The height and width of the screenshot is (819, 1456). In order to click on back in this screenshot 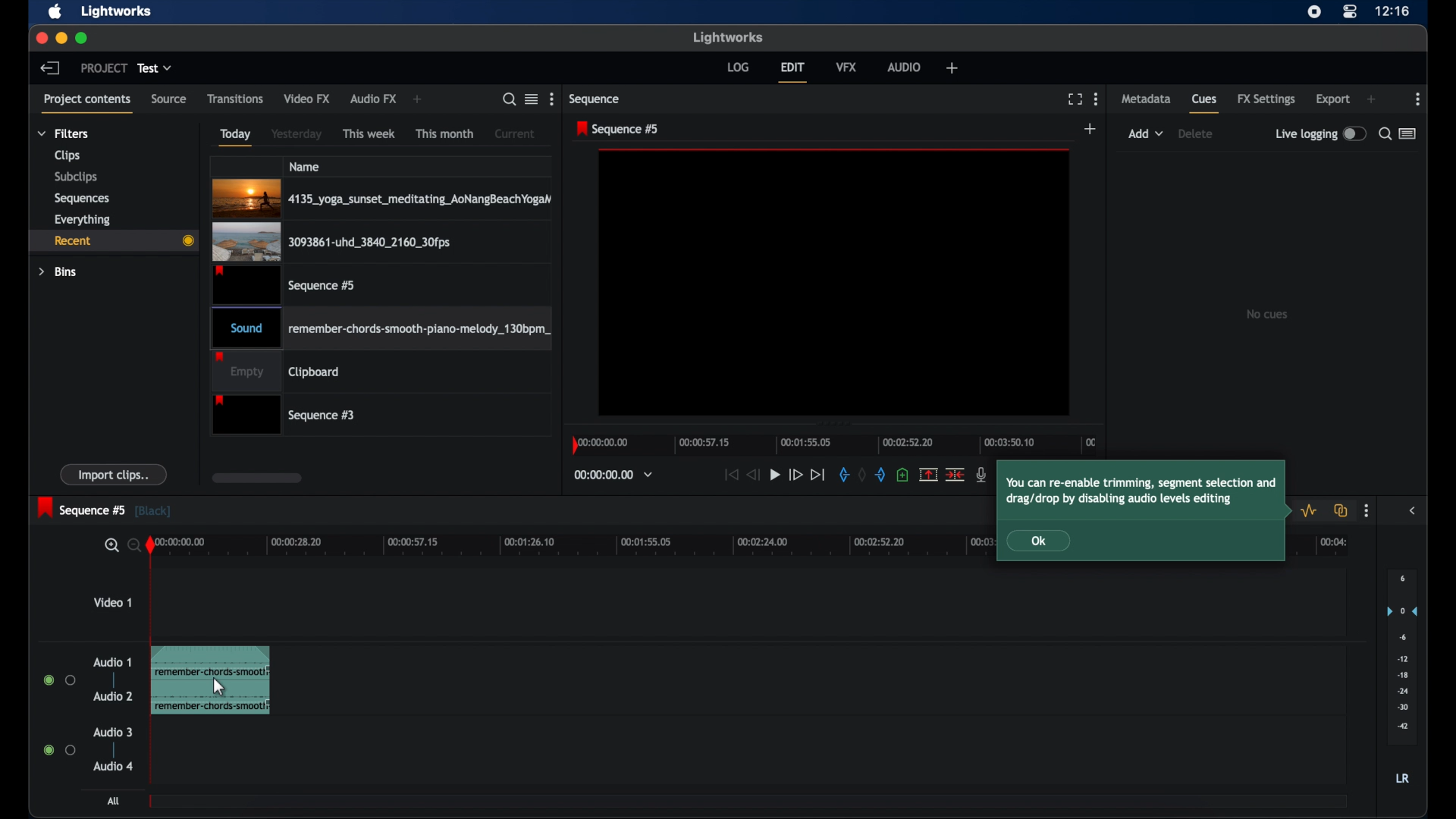, I will do `click(50, 67)`.